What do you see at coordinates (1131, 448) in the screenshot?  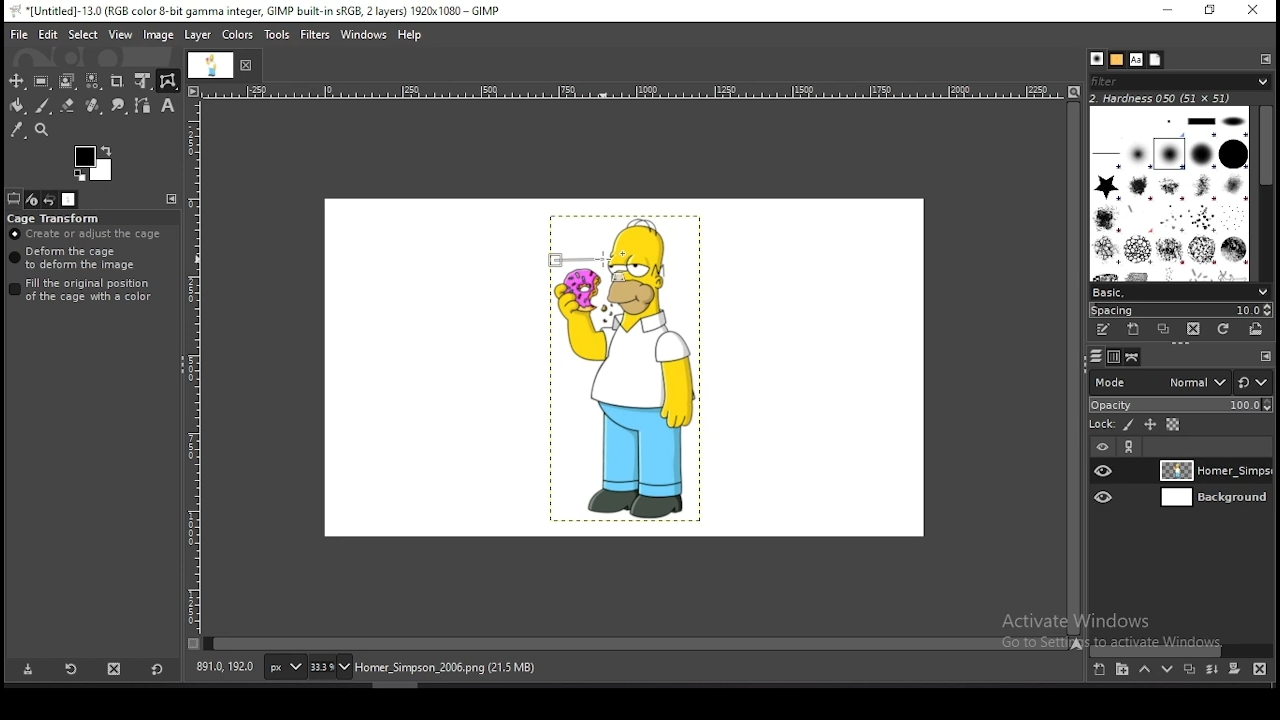 I see `link` at bounding box center [1131, 448].